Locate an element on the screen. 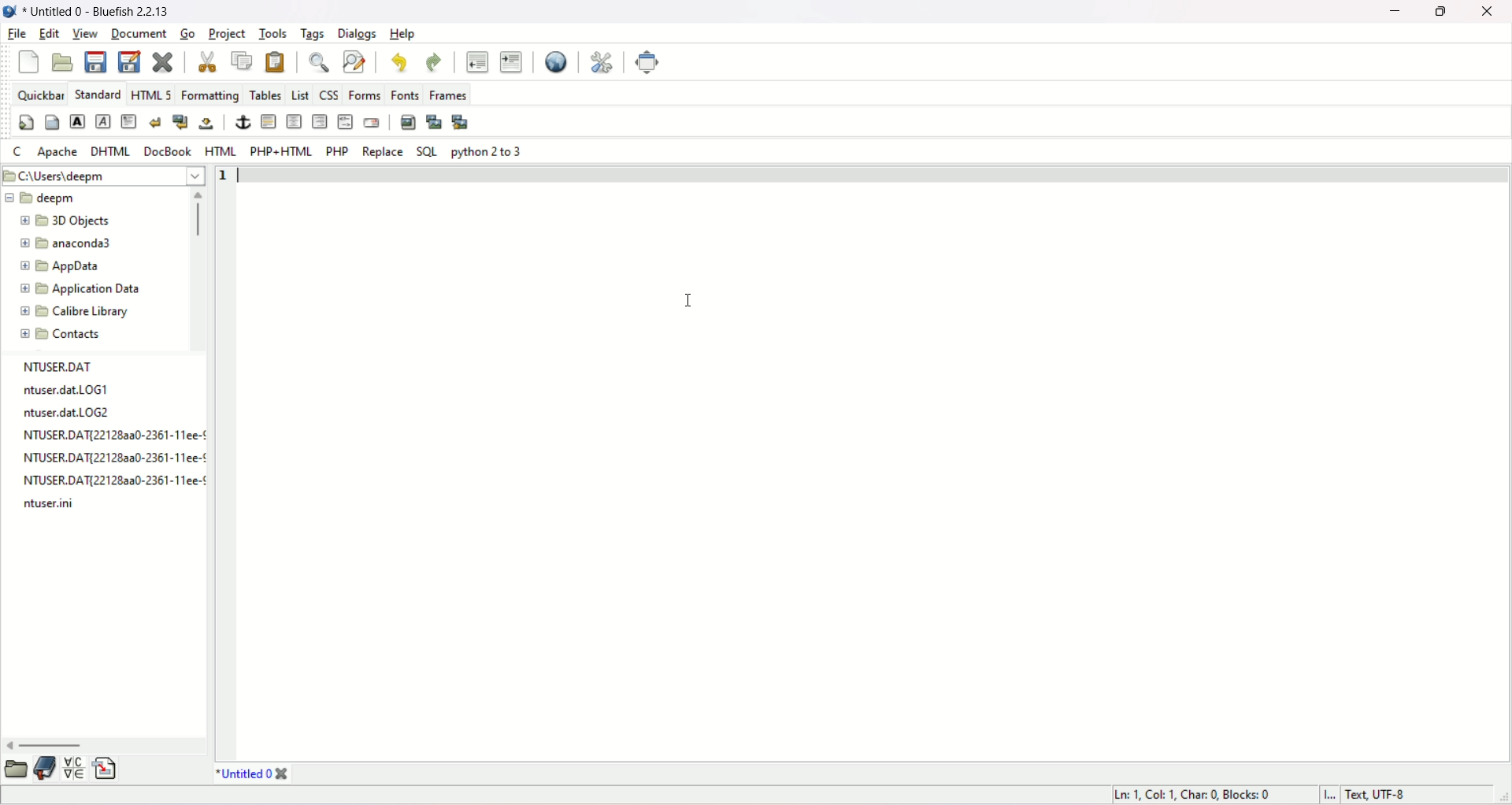 This screenshot has width=1512, height=805. folder name is located at coordinates (88, 333).